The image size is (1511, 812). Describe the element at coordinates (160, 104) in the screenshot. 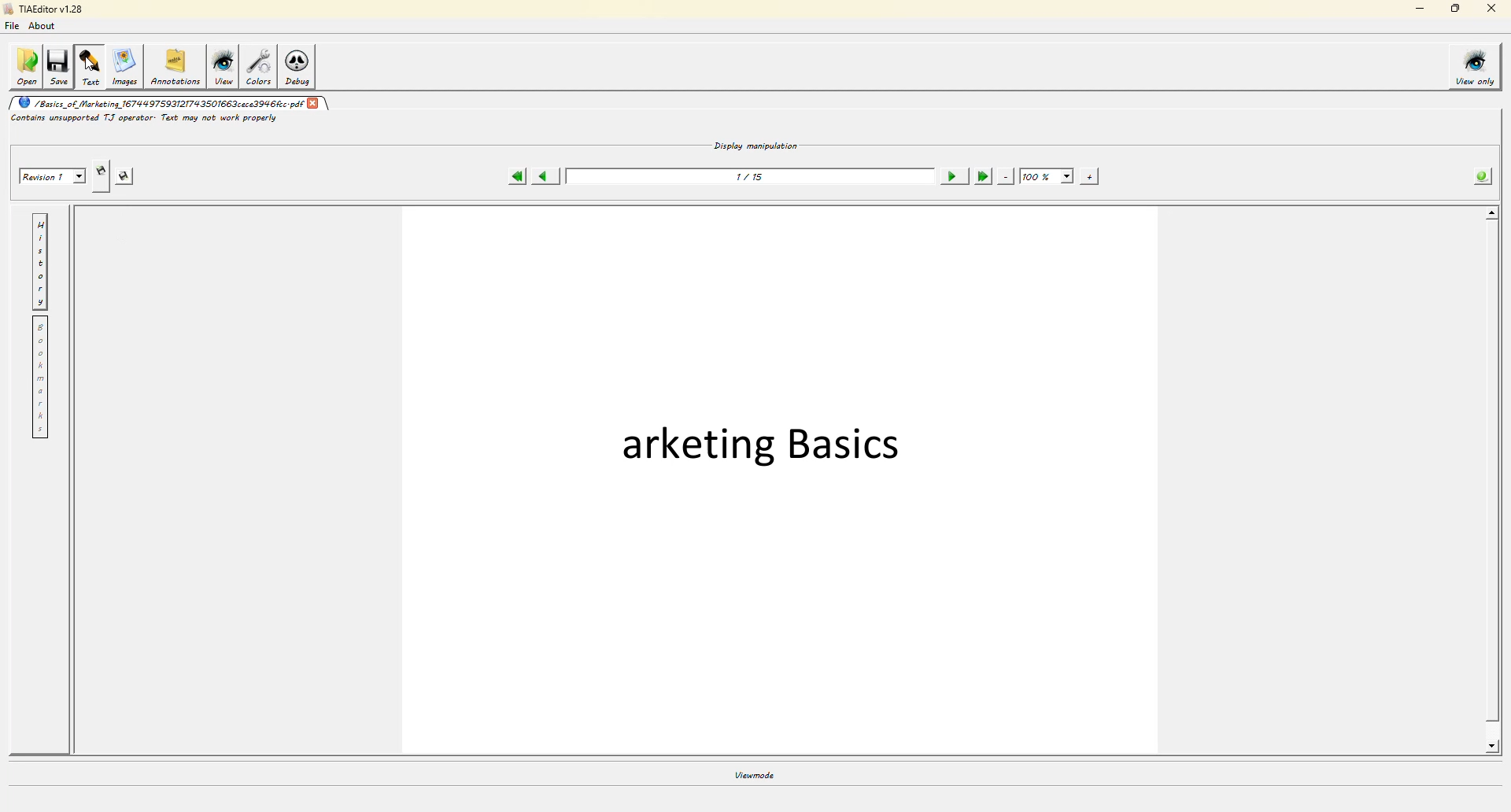

I see `/Basics_of Marketing_1674497593121743501663cece3946fcc.pdf` at that location.